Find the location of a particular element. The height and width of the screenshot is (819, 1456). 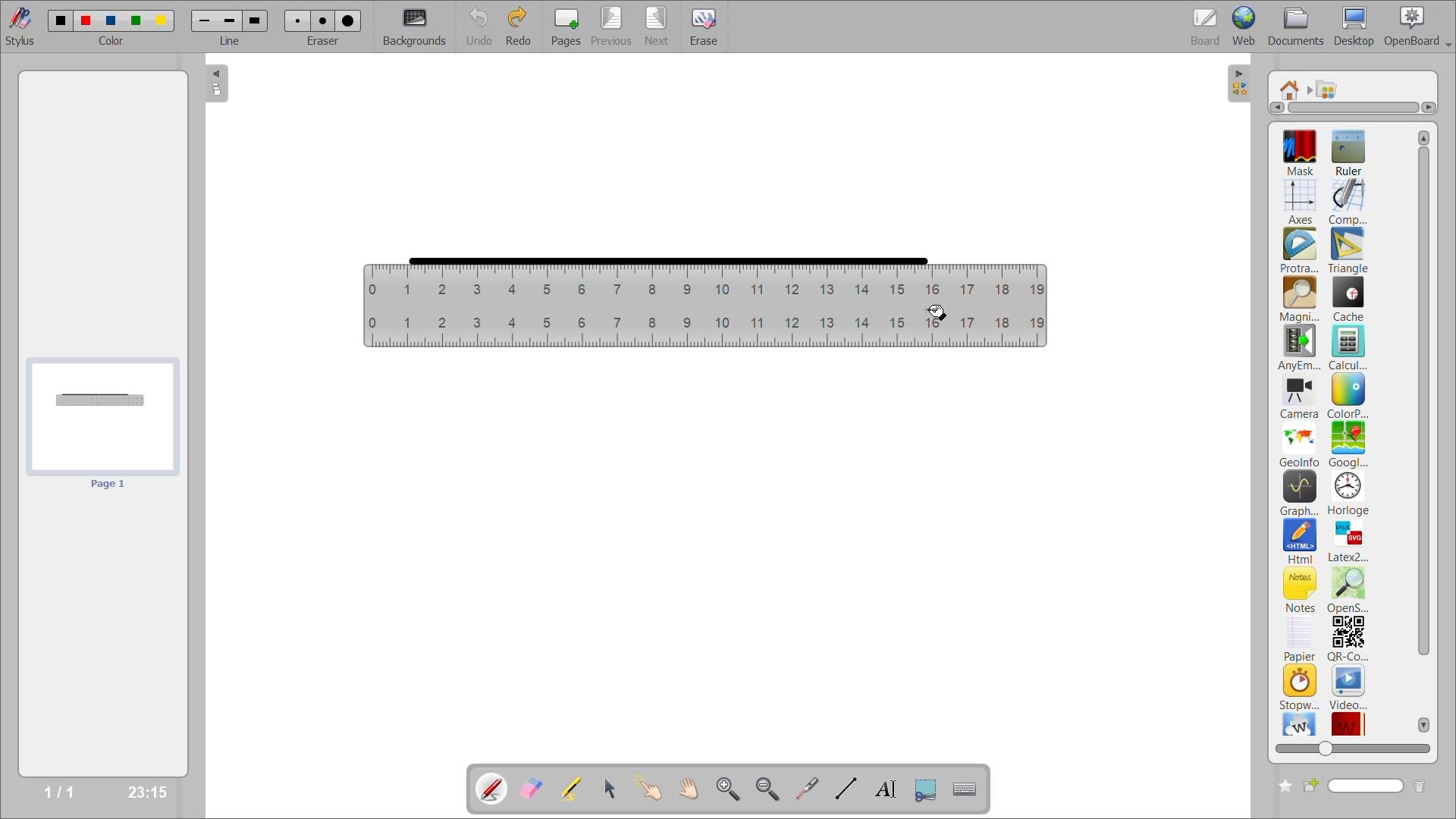

papier is located at coordinates (1299, 639).